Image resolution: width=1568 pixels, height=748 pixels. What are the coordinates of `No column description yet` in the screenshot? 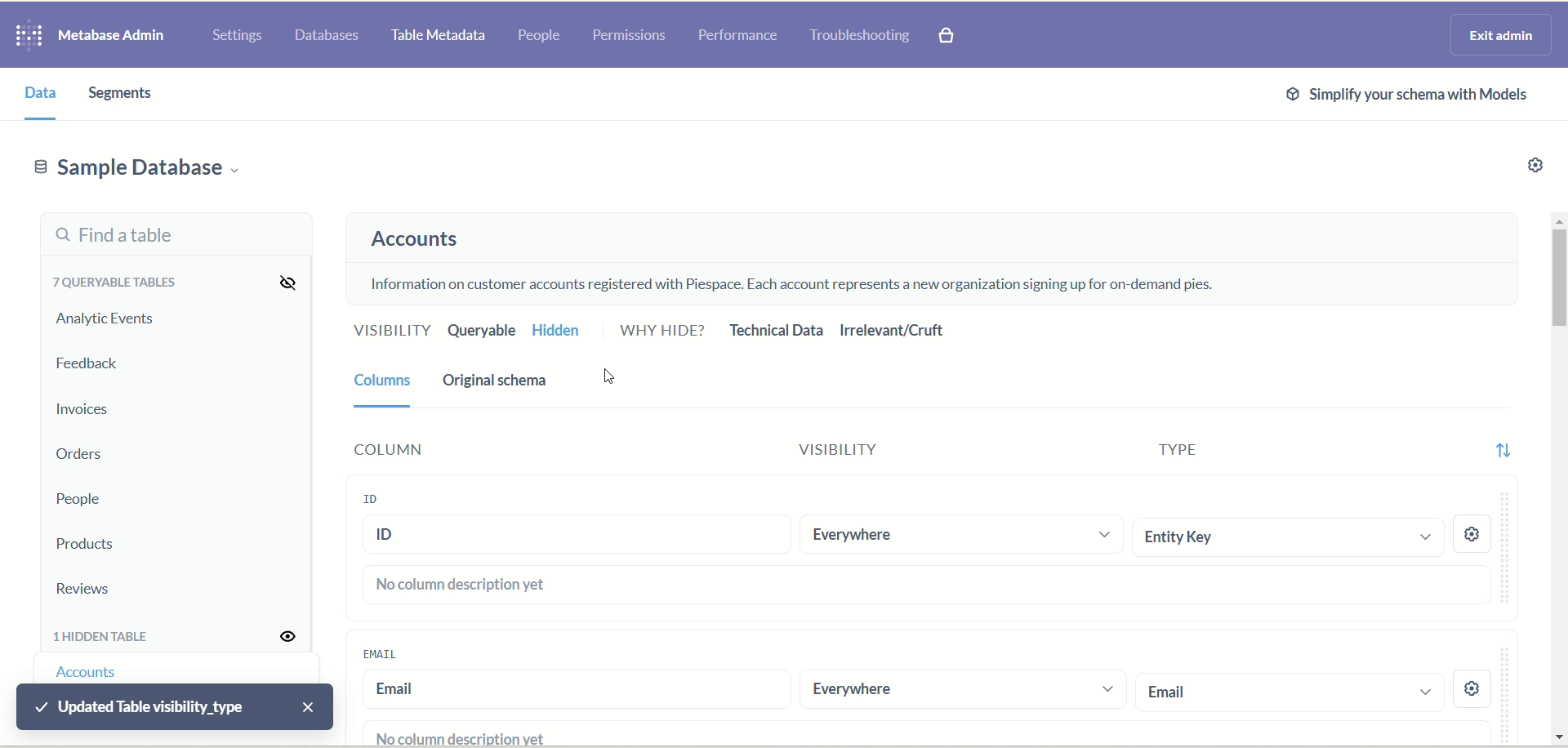 It's located at (462, 586).